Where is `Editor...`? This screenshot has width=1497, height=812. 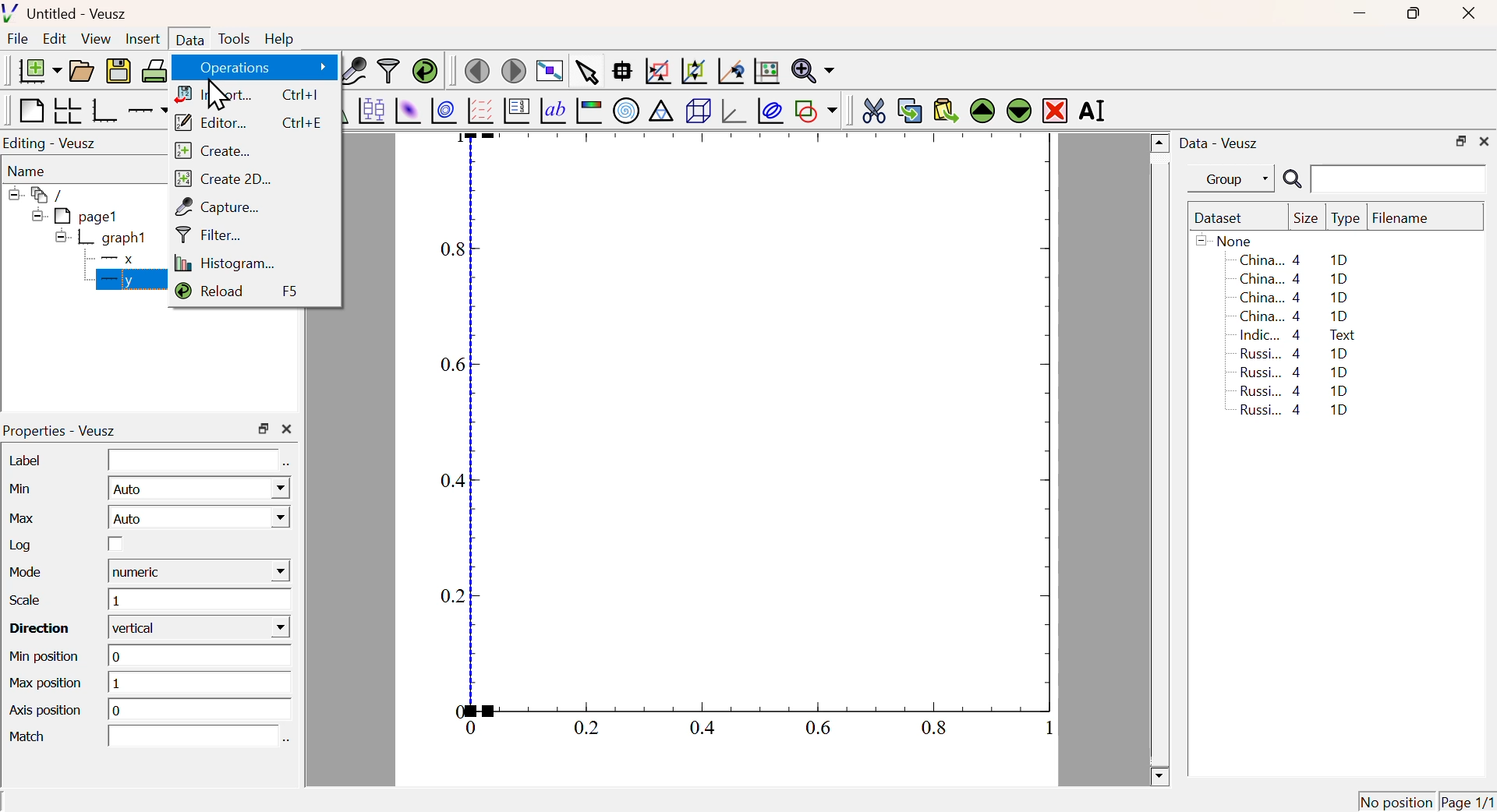
Editor... is located at coordinates (211, 124).